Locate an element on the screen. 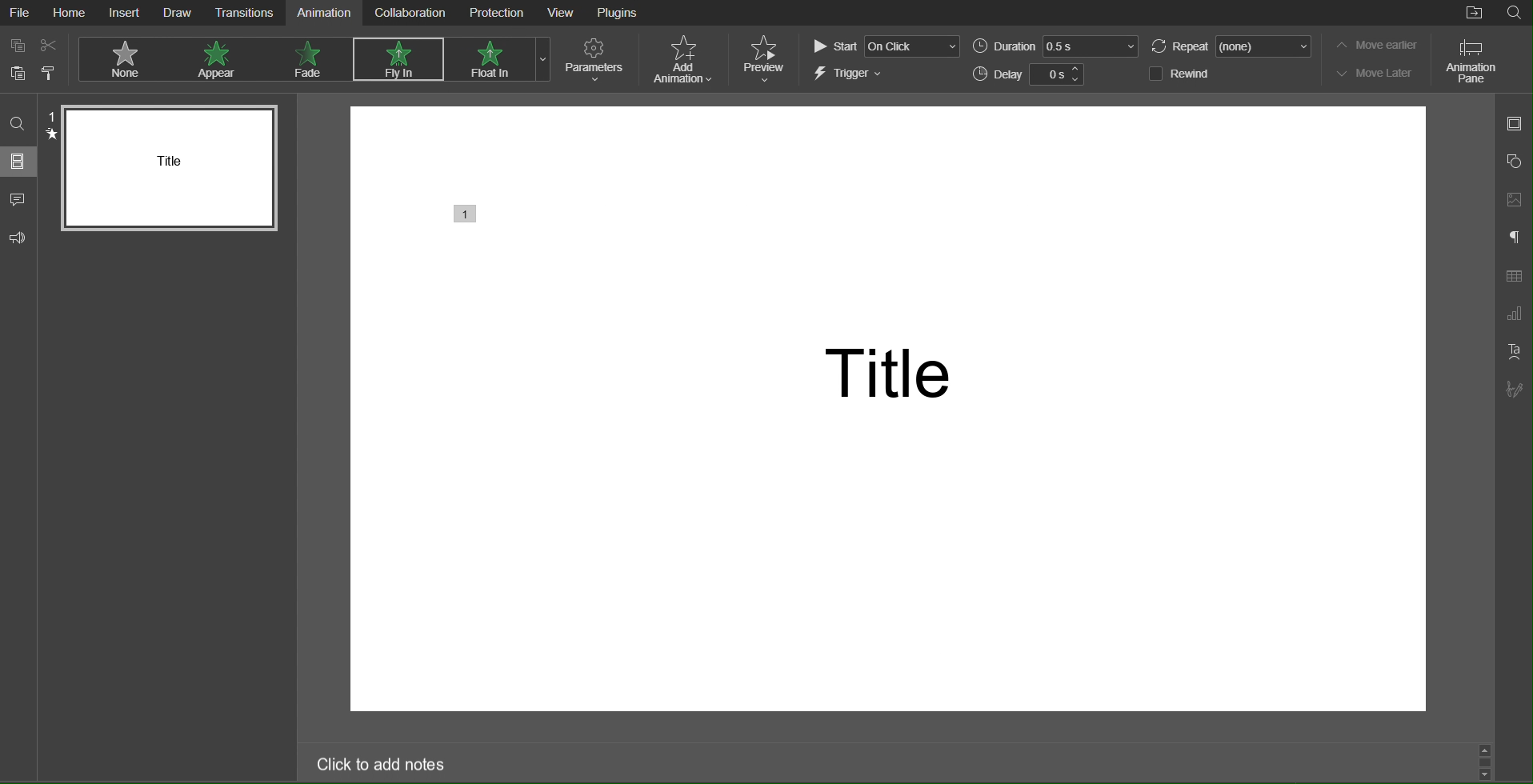 The image size is (1533, 784). Cut Copy Paste is located at coordinates (33, 59).